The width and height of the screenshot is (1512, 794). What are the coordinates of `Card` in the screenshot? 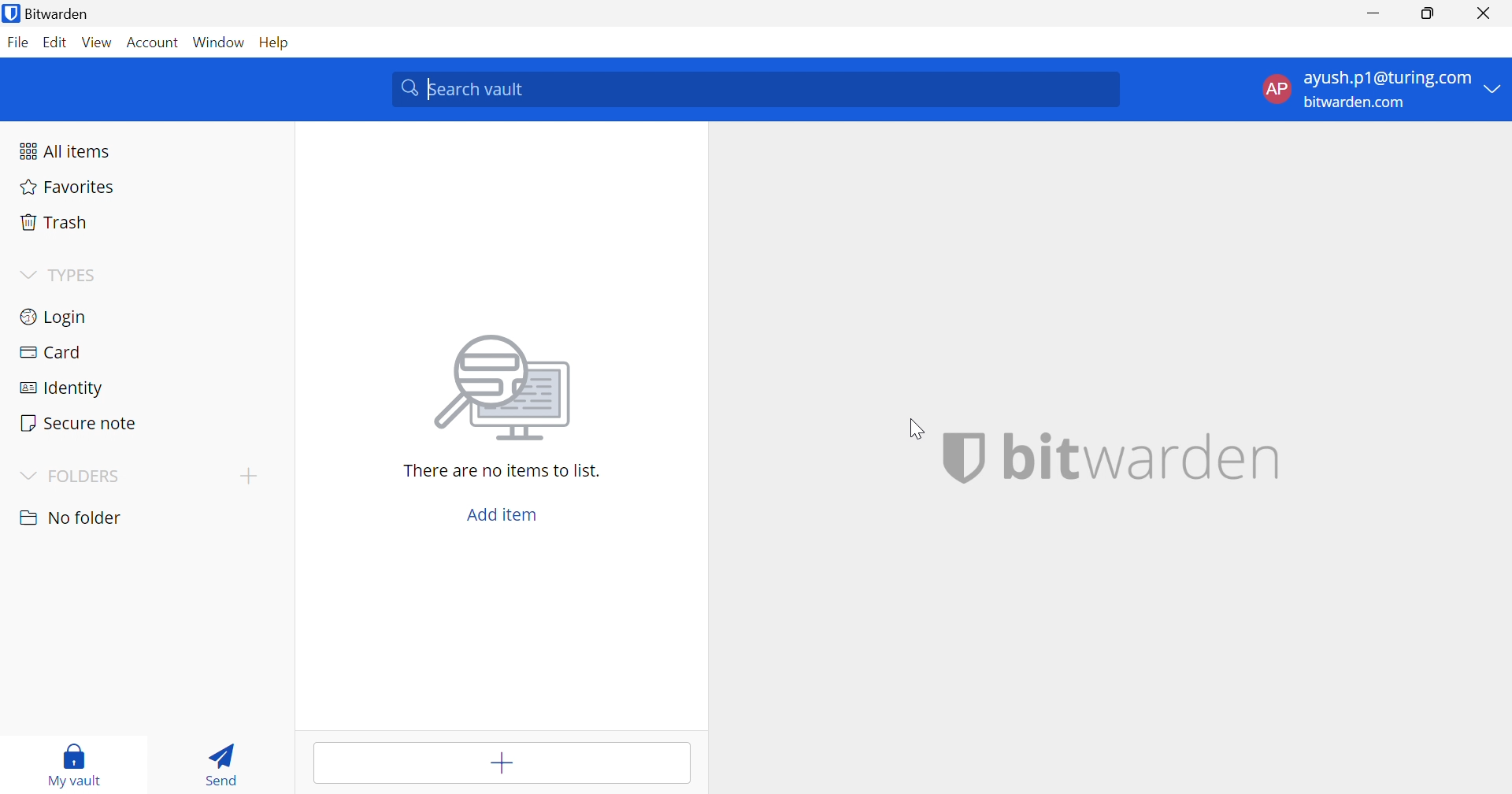 It's located at (50, 350).